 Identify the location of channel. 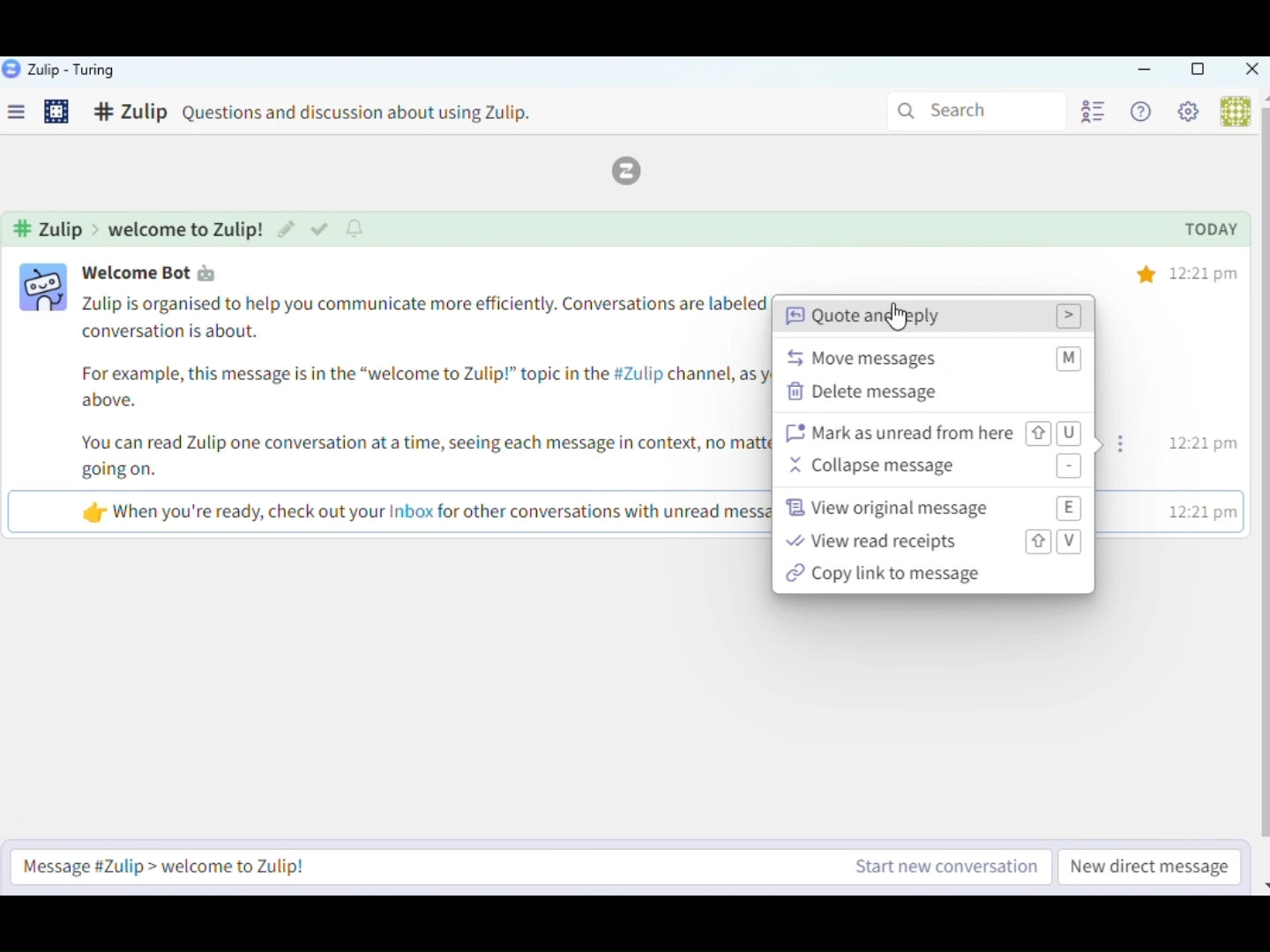
(140, 228).